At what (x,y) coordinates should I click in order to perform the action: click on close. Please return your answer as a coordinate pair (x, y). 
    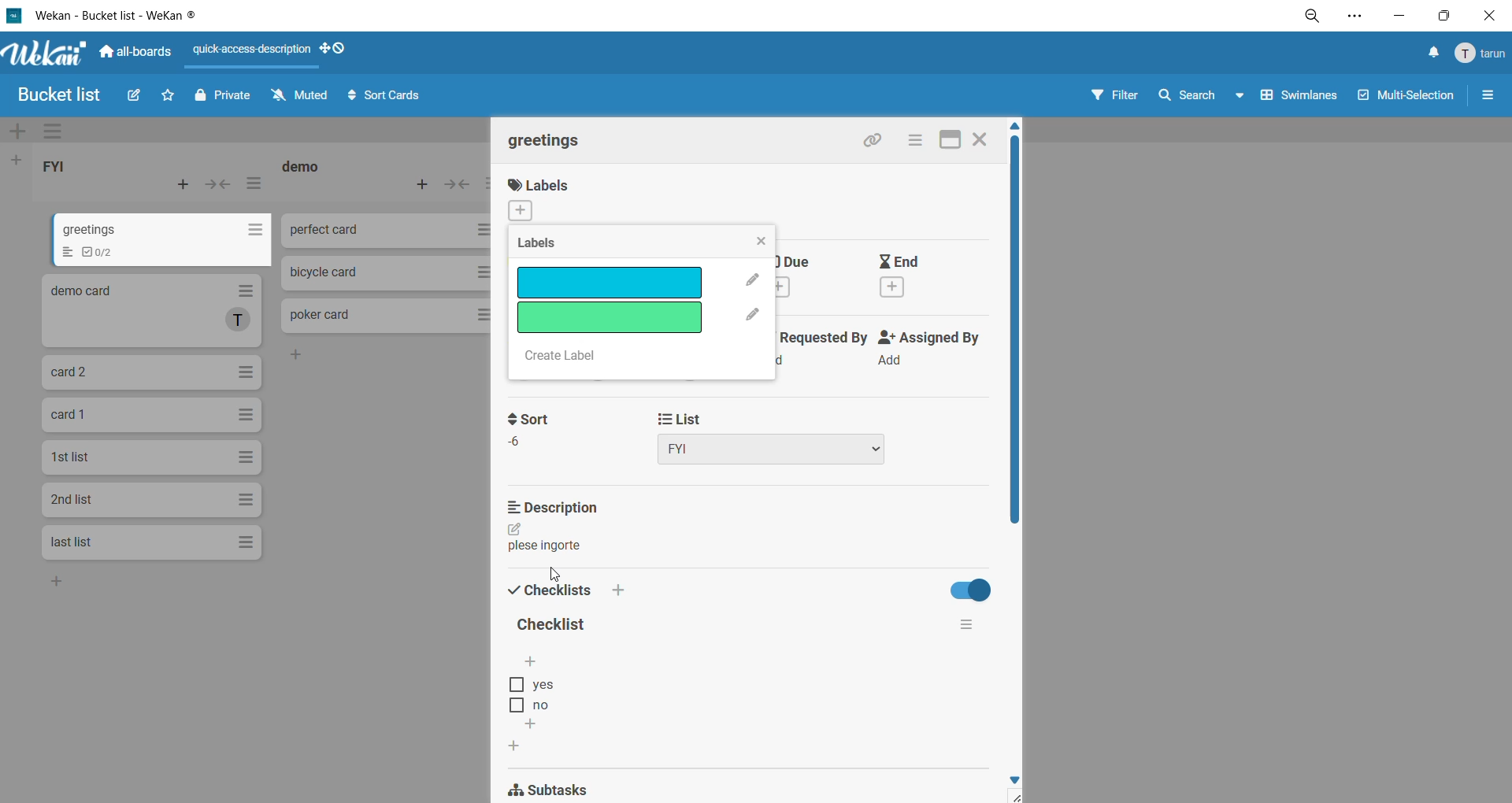
    Looking at the image, I should click on (764, 243).